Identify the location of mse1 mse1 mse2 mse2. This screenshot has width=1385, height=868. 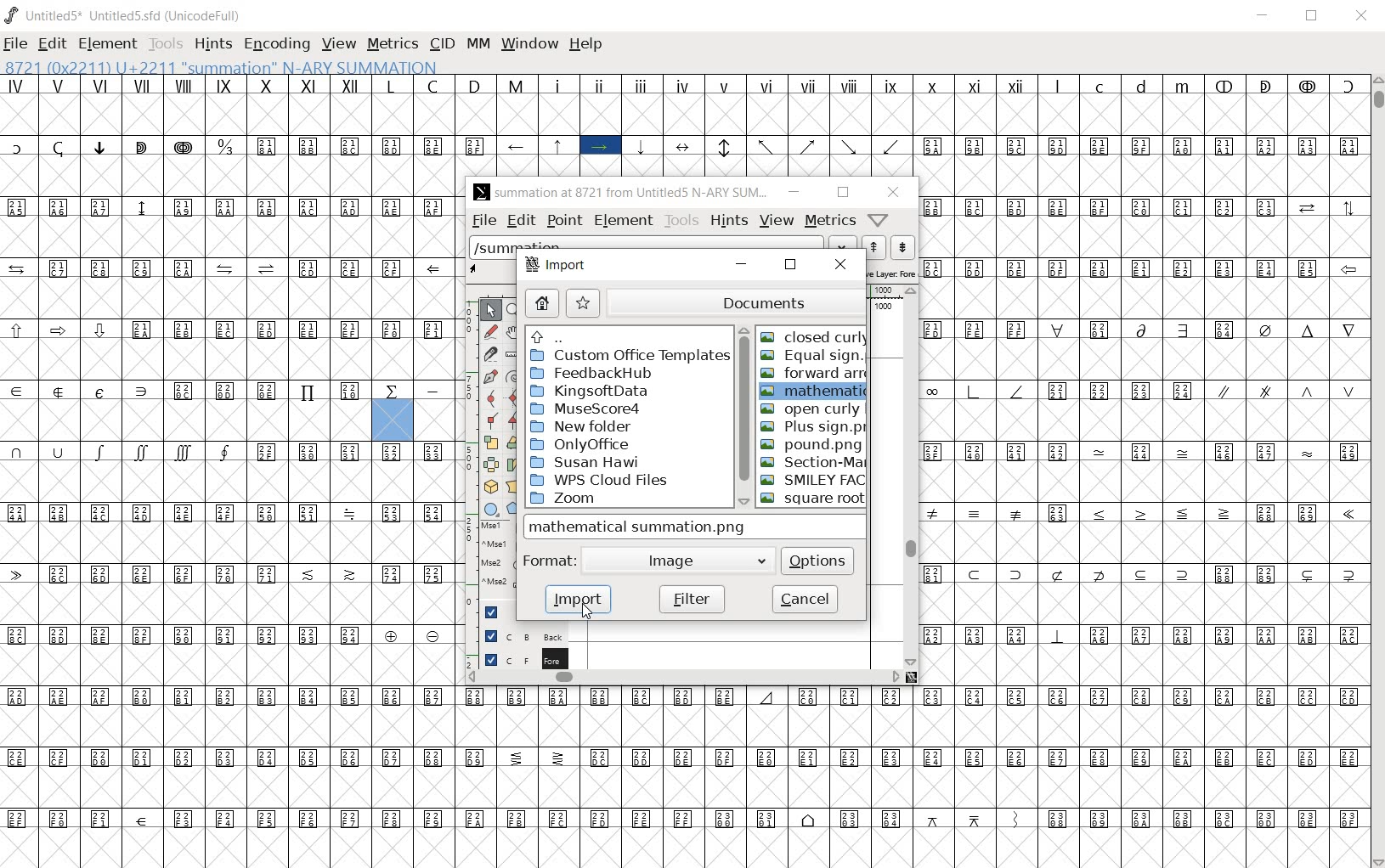
(488, 555).